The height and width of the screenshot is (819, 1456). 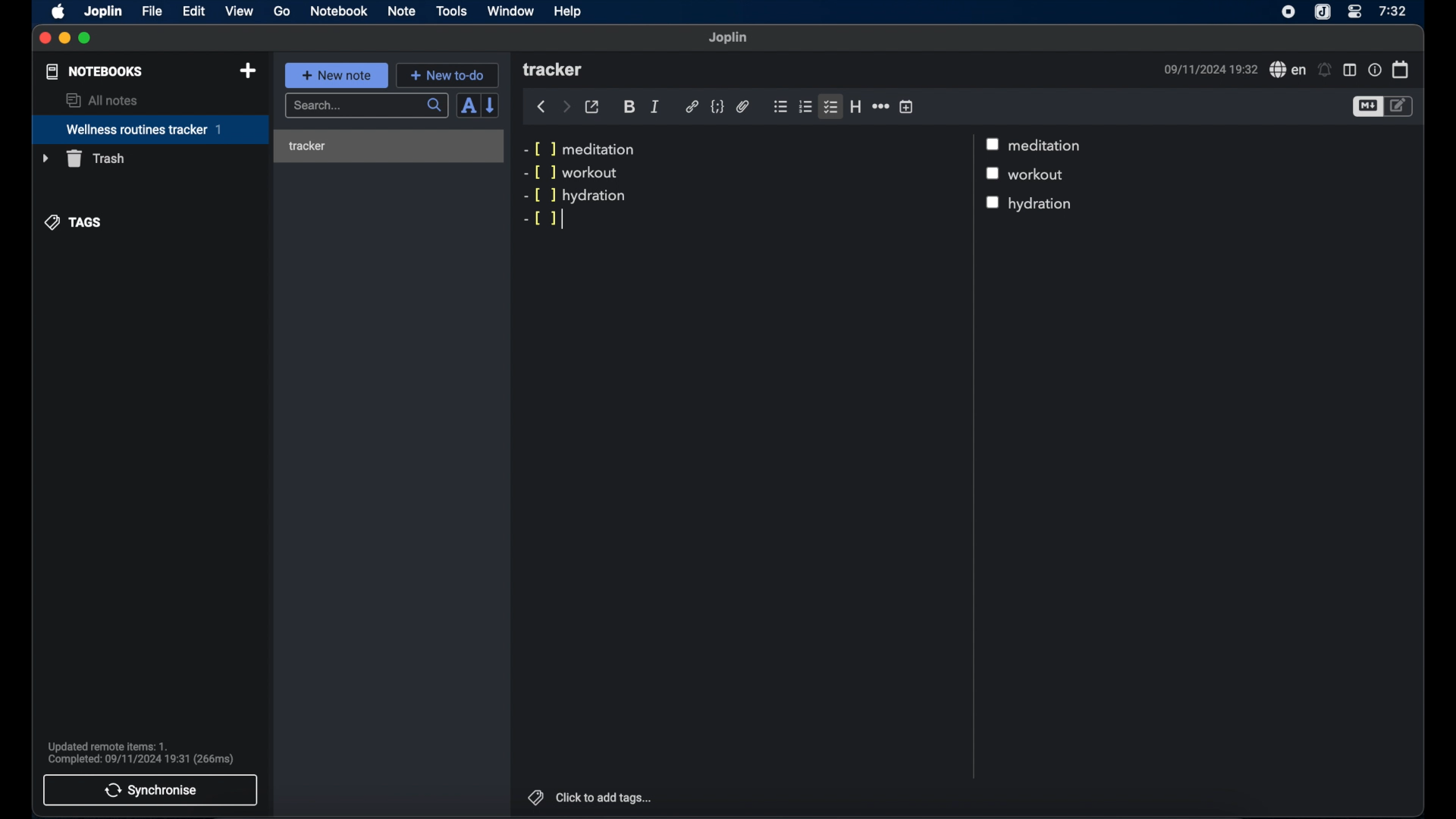 What do you see at coordinates (994, 143) in the screenshot?
I see `checkbox` at bounding box center [994, 143].